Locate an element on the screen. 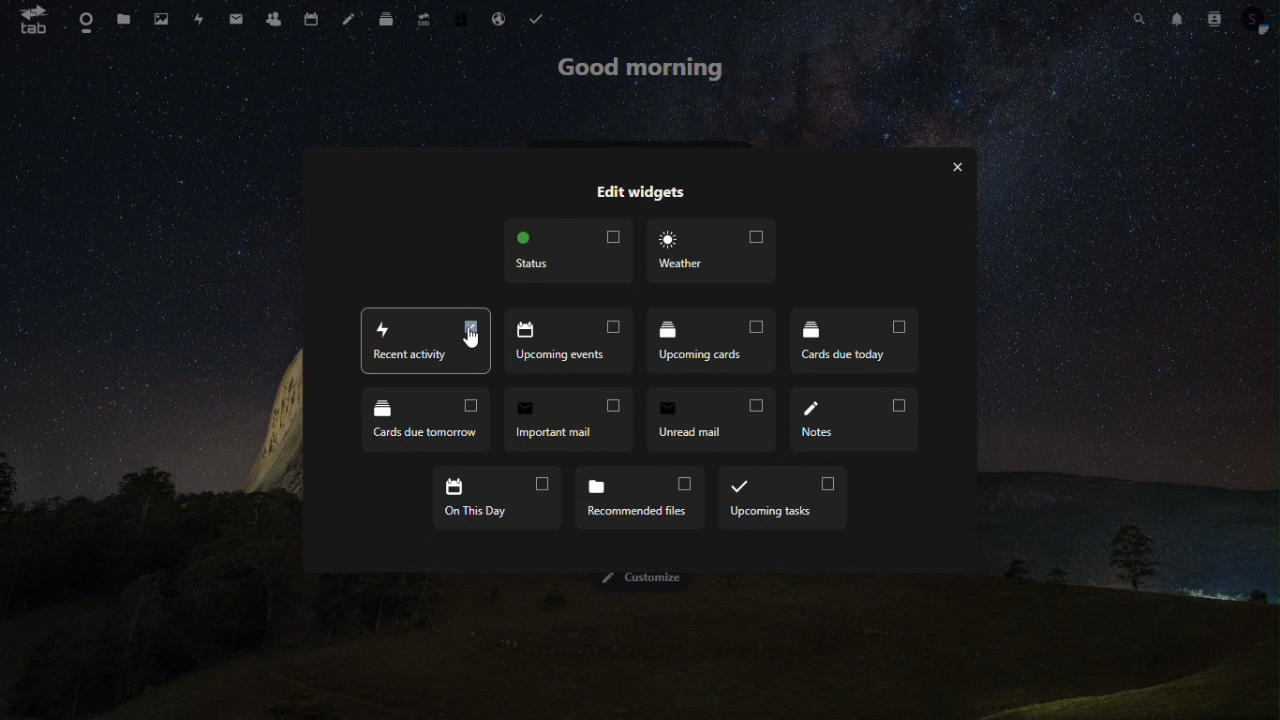 The image size is (1280, 720). note is located at coordinates (349, 17).